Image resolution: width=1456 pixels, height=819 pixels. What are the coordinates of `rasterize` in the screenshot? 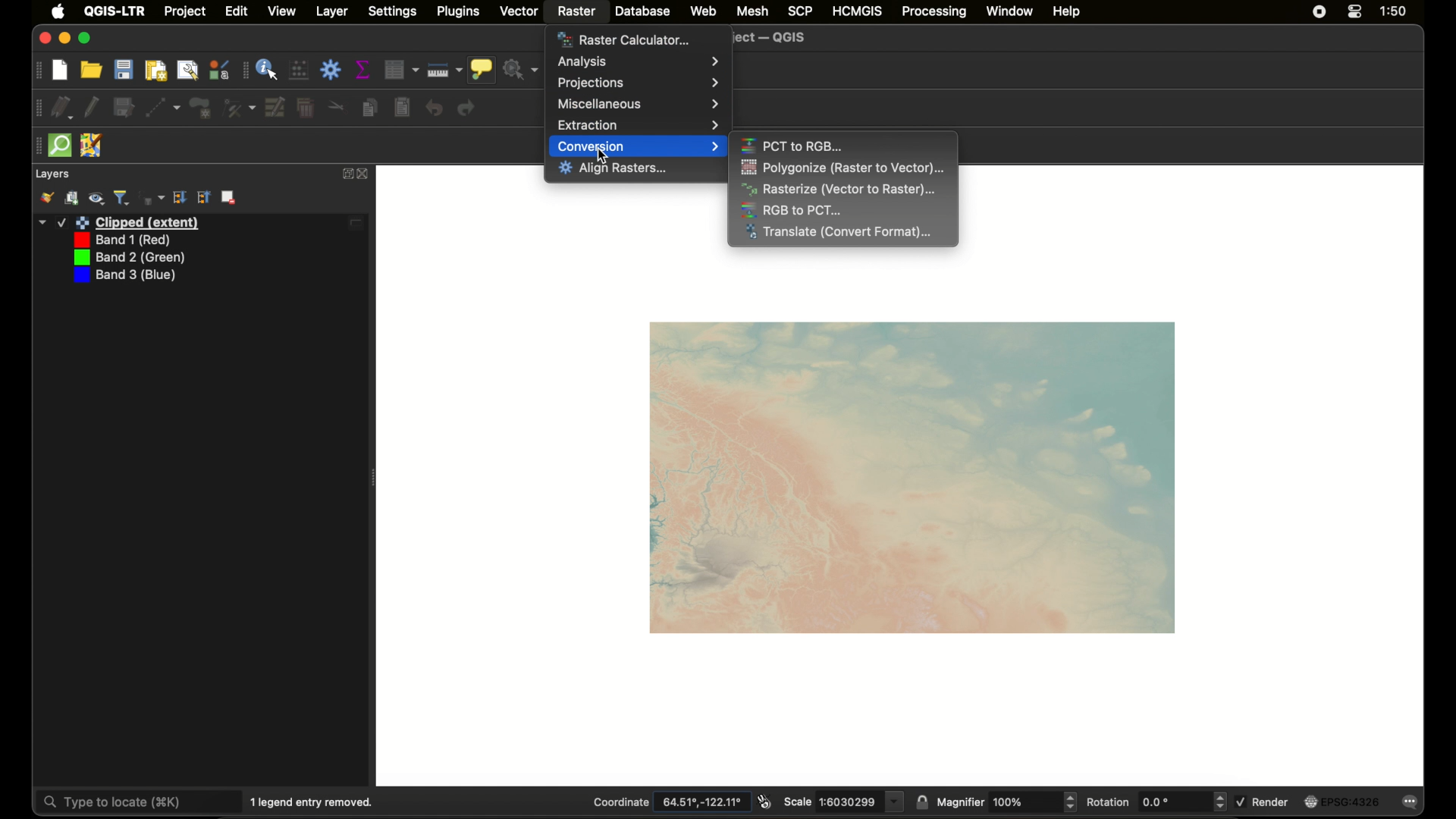 It's located at (843, 190).